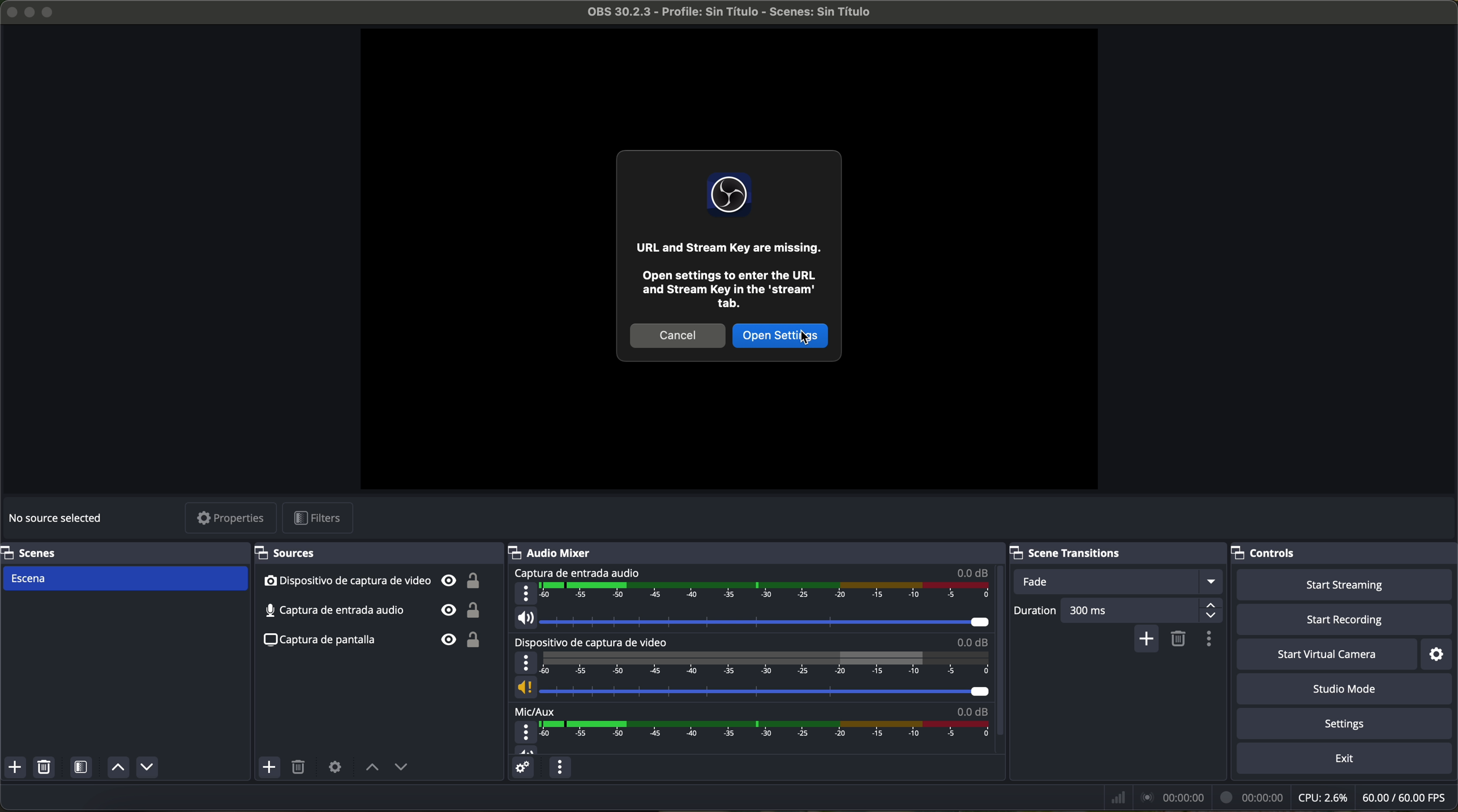 The height and width of the screenshot is (812, 1458). What do you see at coordinates (1208, 641) in the screenshot?
I see `transition properties` at bounding box center [1208, 641].